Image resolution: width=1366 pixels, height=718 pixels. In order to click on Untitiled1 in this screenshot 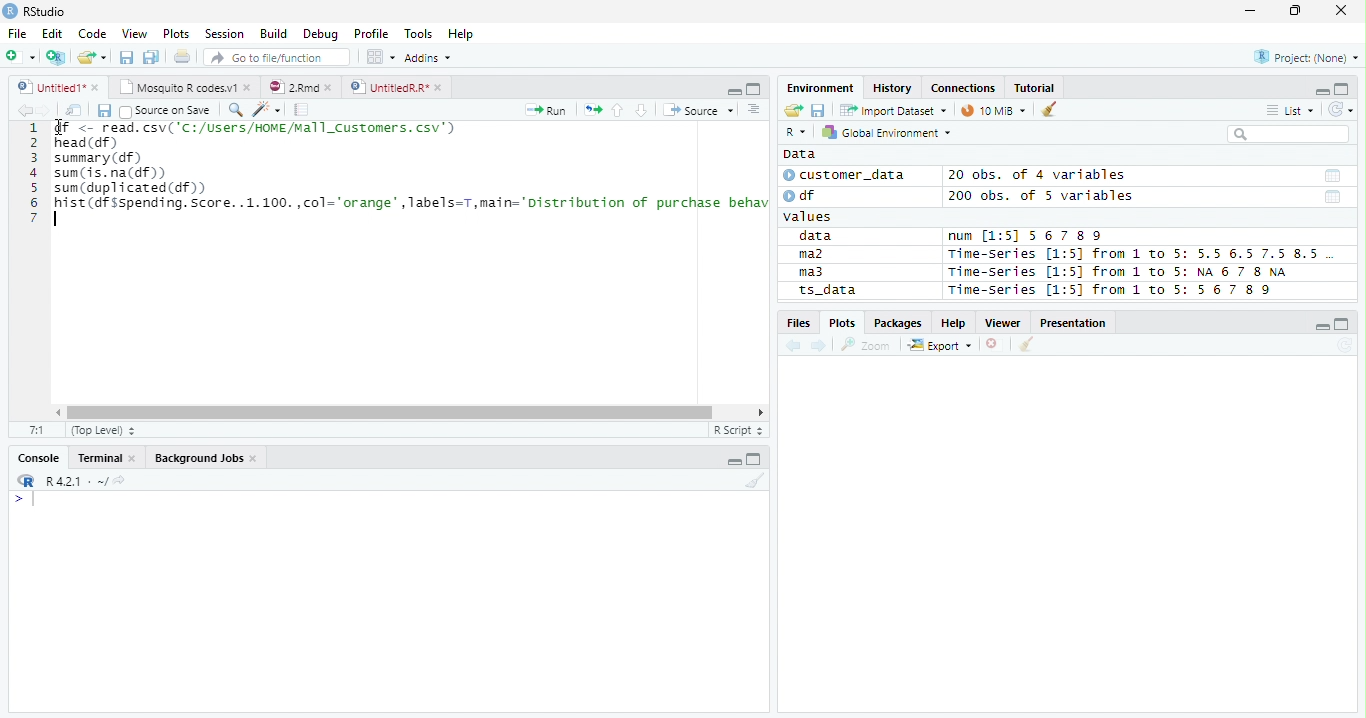, I will do `click(57, 87)`.